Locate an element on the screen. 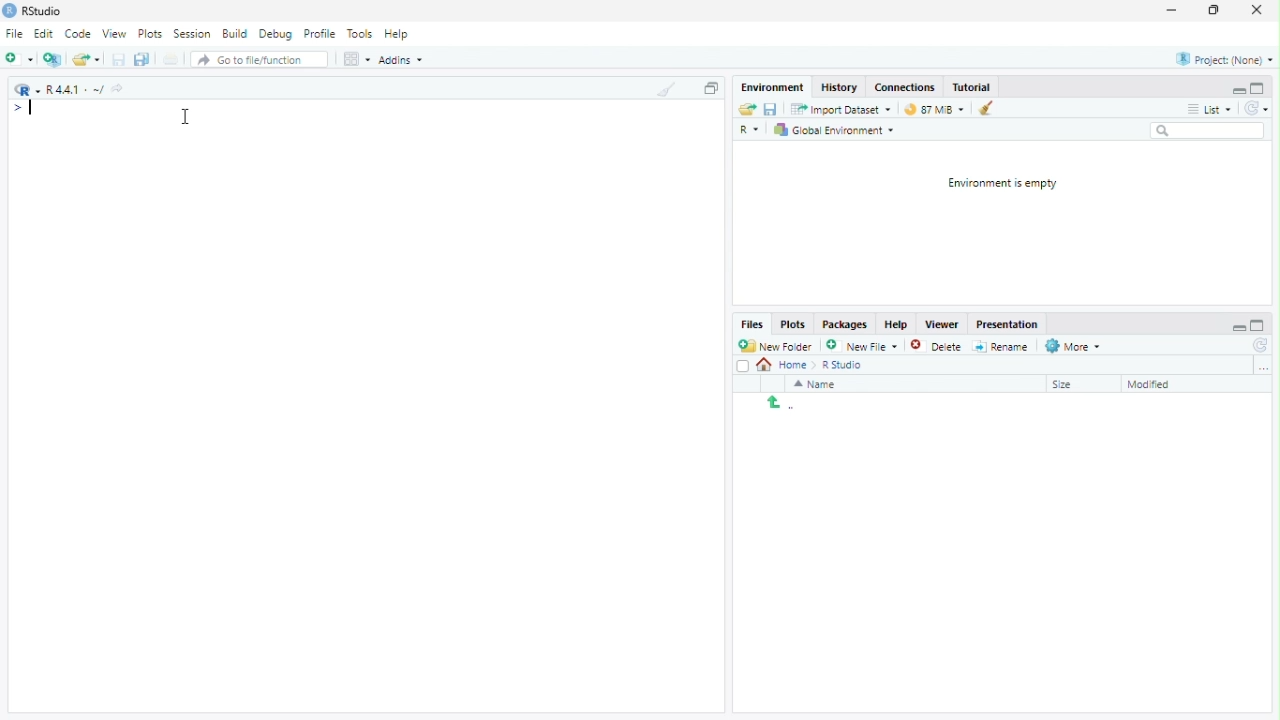  Refresh  is located at coordinates (1256, 108).